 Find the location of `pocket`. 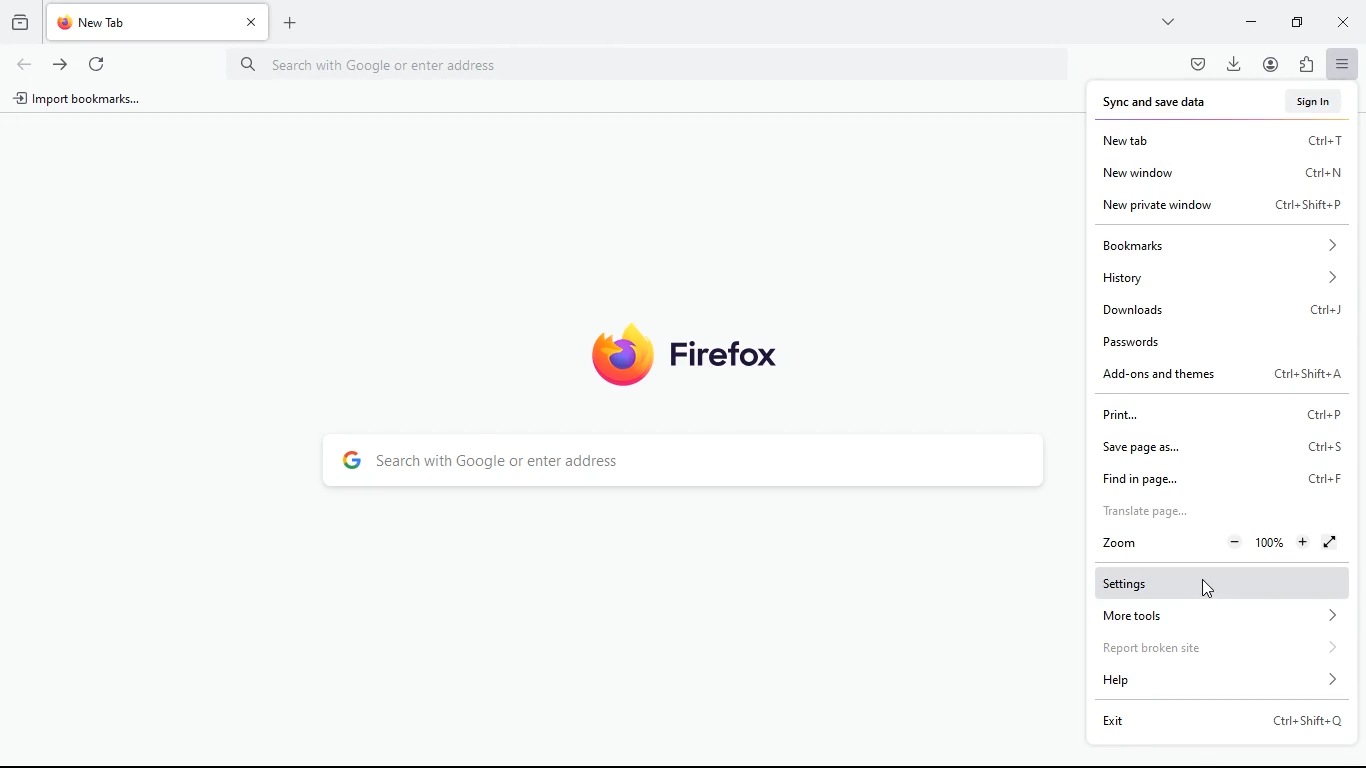

pocket is located at coordinates (1196, 65).